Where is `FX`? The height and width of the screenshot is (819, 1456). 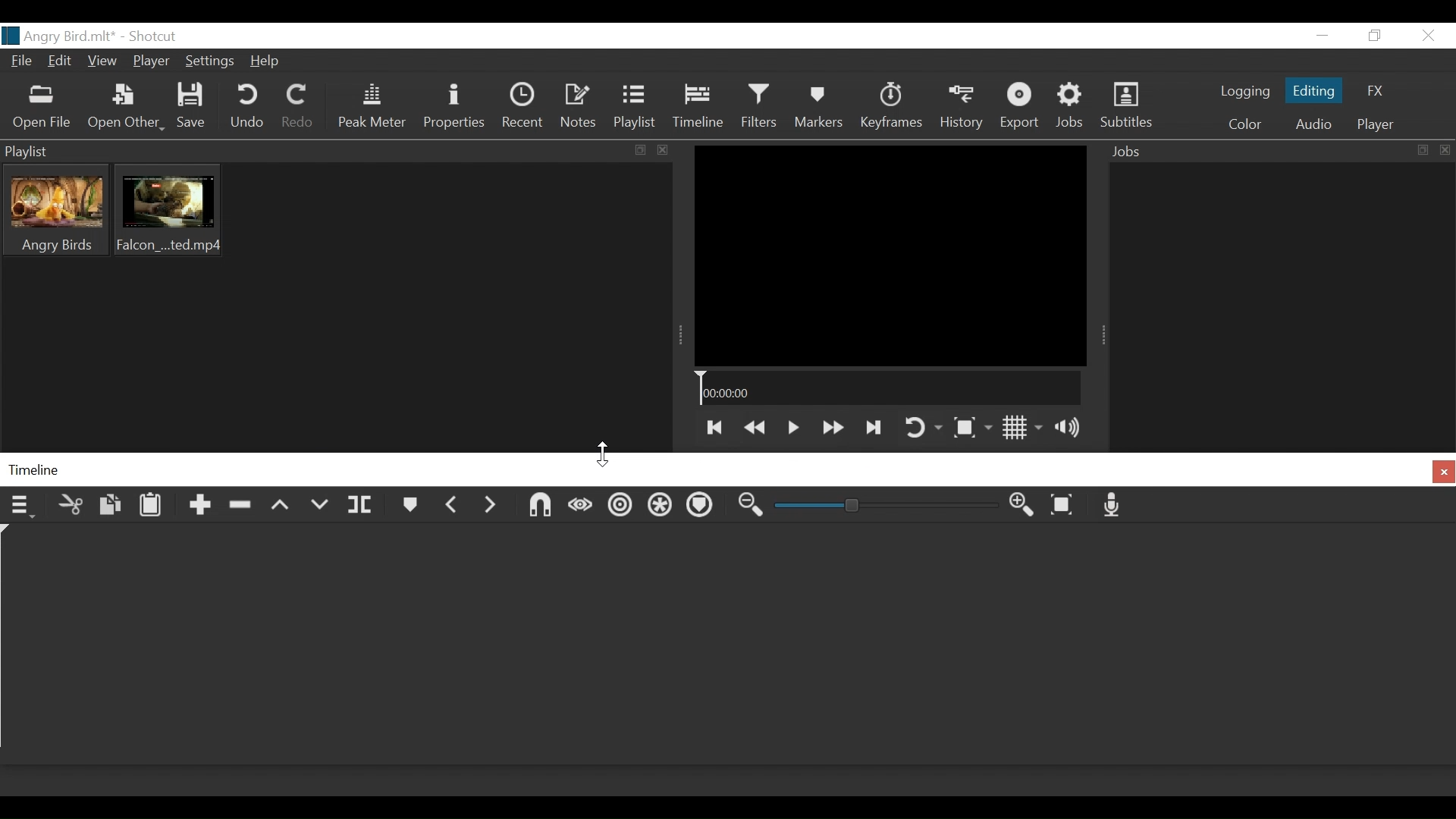
FX is located at coordinates (1373, 91).